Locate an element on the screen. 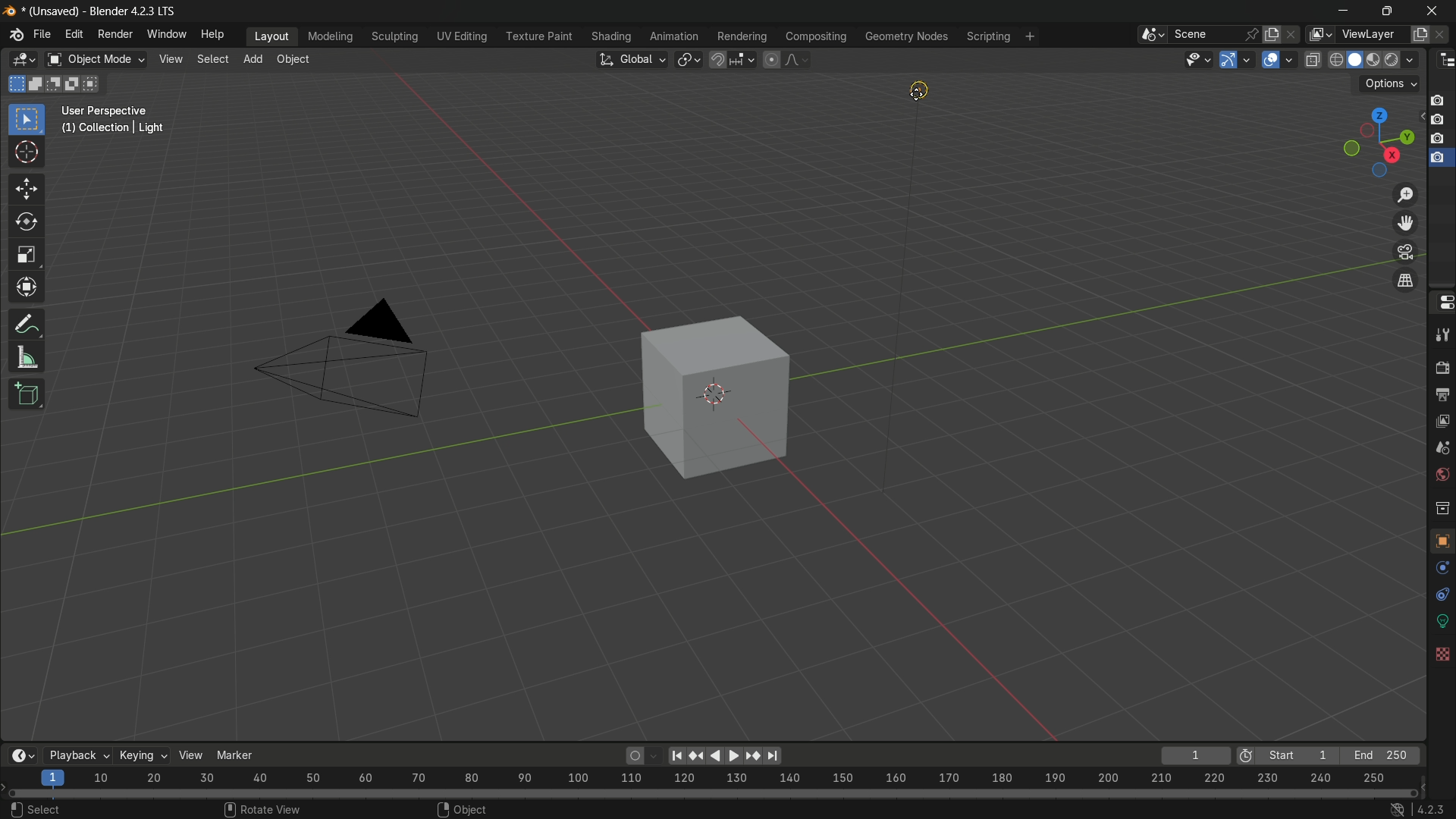  capture is located at coordinates (1438, 162).